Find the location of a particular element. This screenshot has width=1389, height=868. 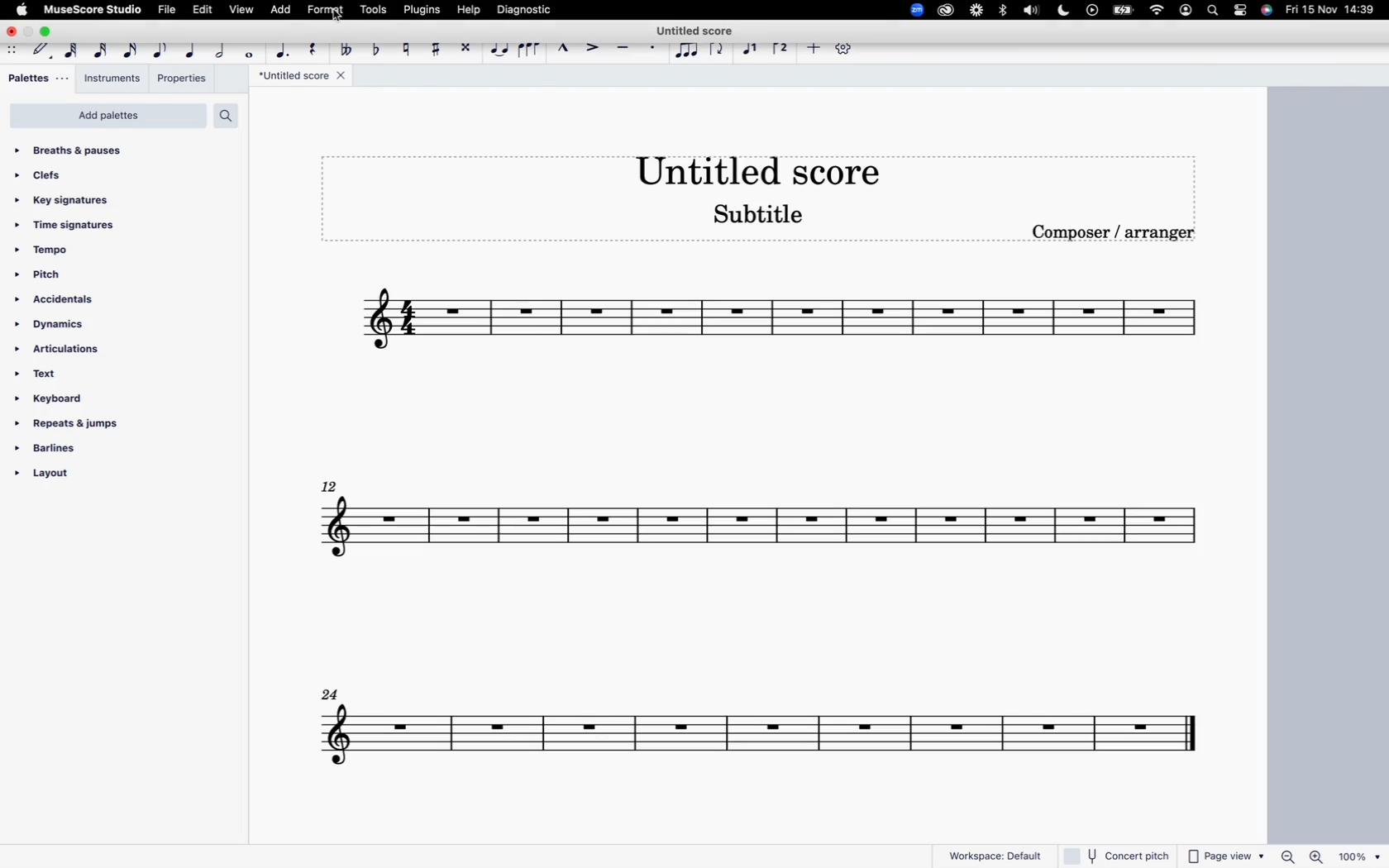

creative cloud is located at coordinates (947, 10).